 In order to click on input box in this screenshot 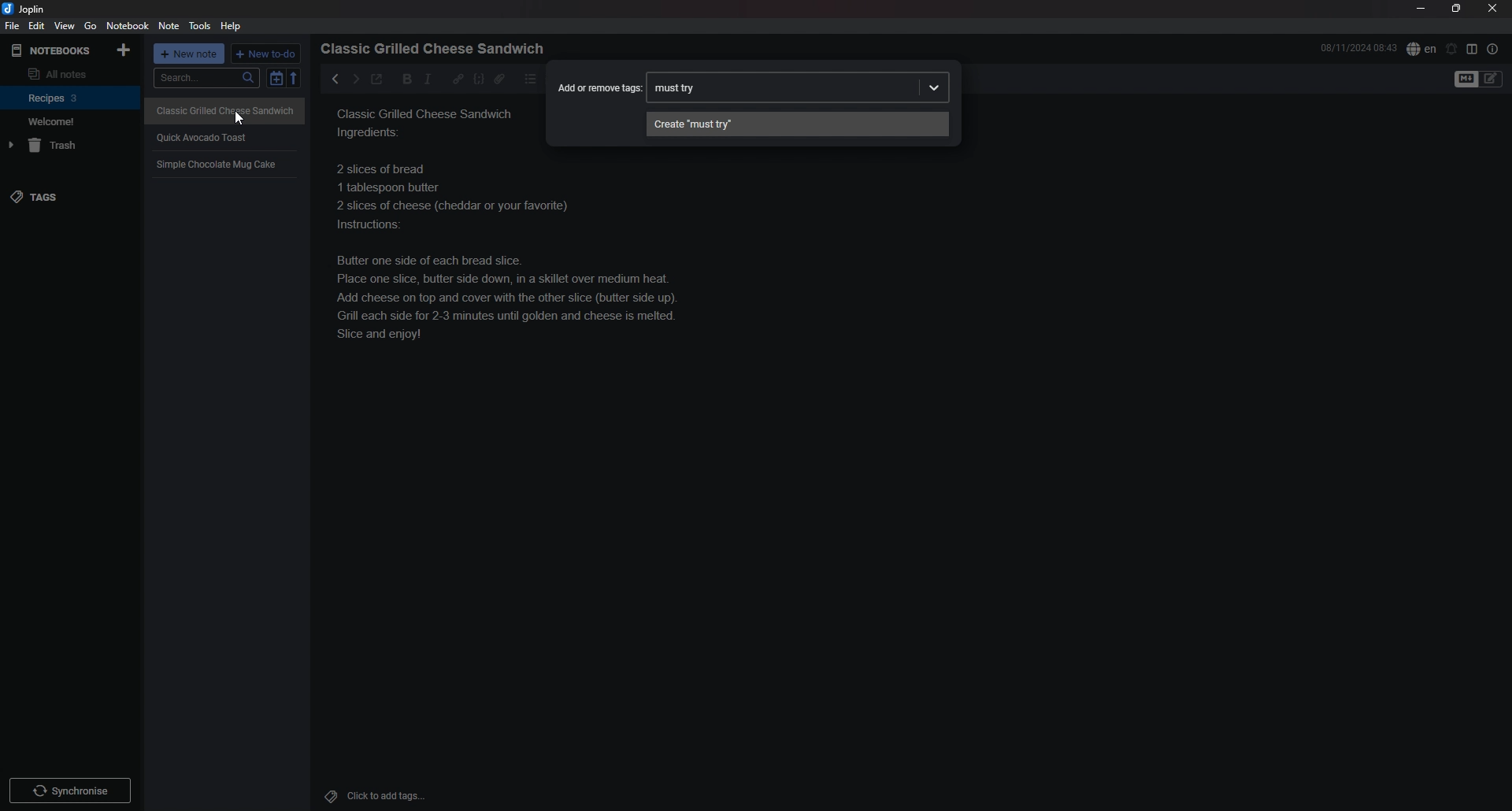, I will do `click(782, 87)`.